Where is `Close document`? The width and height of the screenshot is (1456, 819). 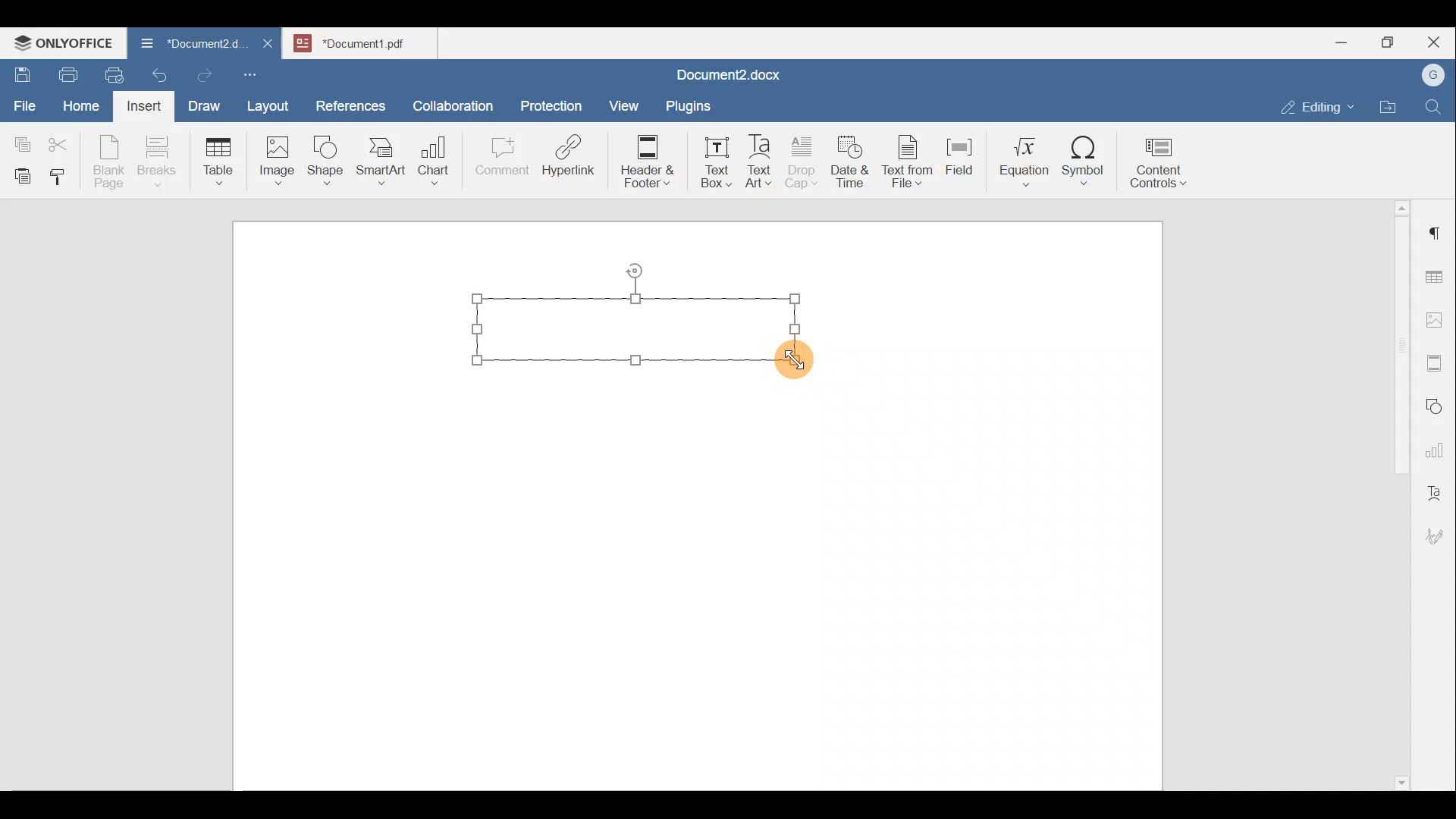
Close document is located at coordinates (268, 45).